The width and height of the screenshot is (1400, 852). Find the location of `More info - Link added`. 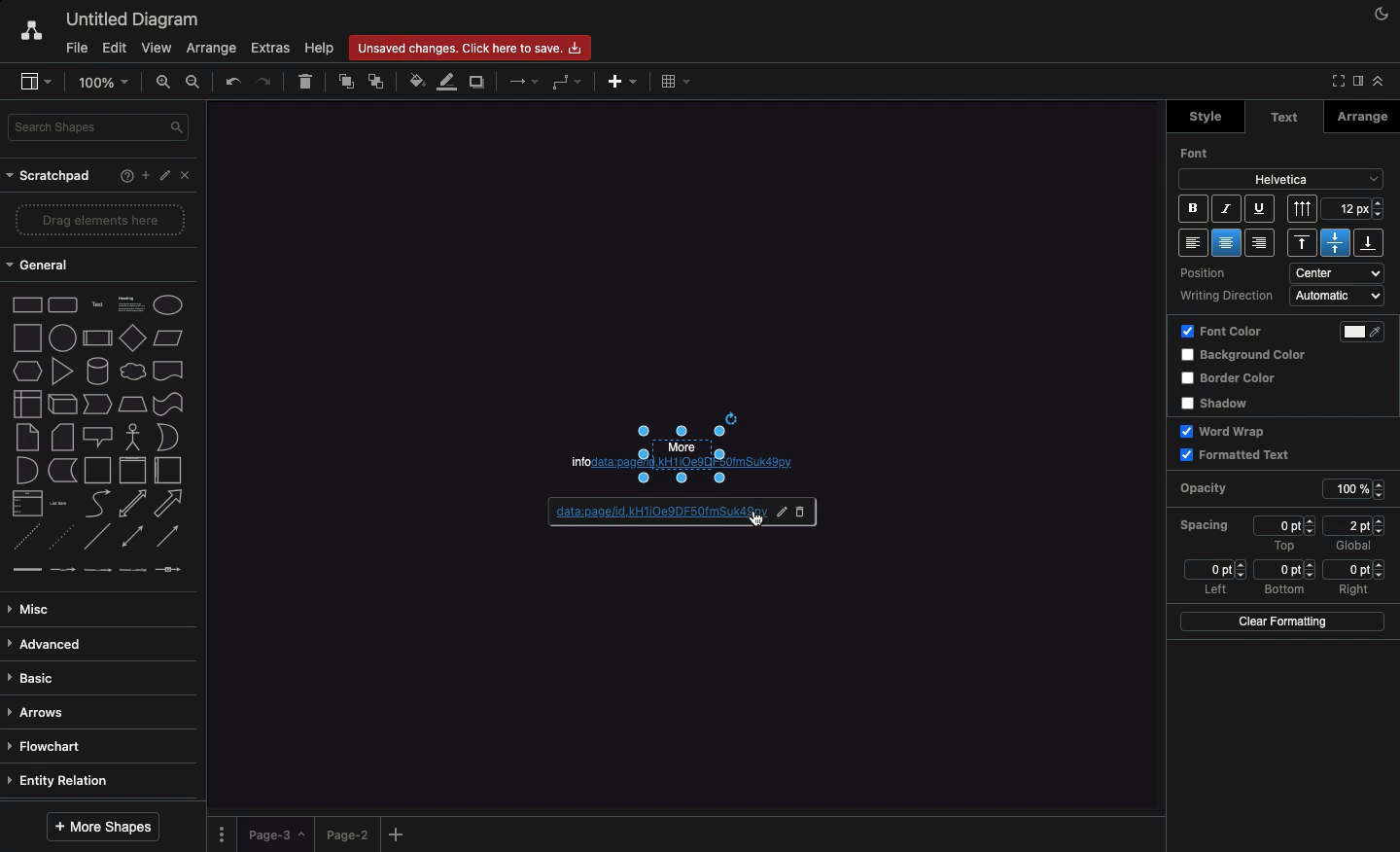

More info - Link added is located at coordinates (713, 448).